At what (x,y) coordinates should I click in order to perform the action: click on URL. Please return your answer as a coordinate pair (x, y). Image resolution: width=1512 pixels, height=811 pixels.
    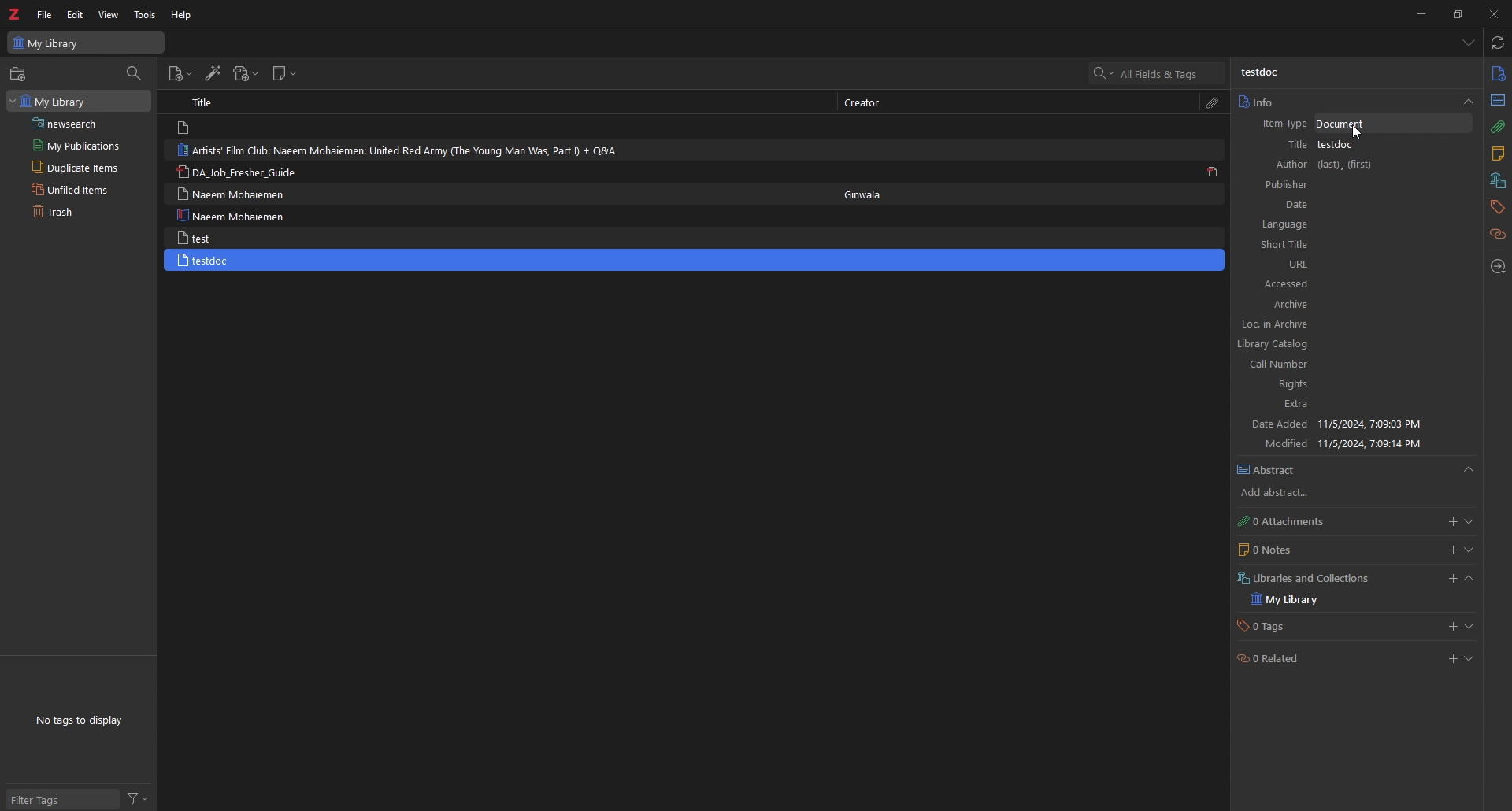
    Looking at the image, I should click on (1354, 265).